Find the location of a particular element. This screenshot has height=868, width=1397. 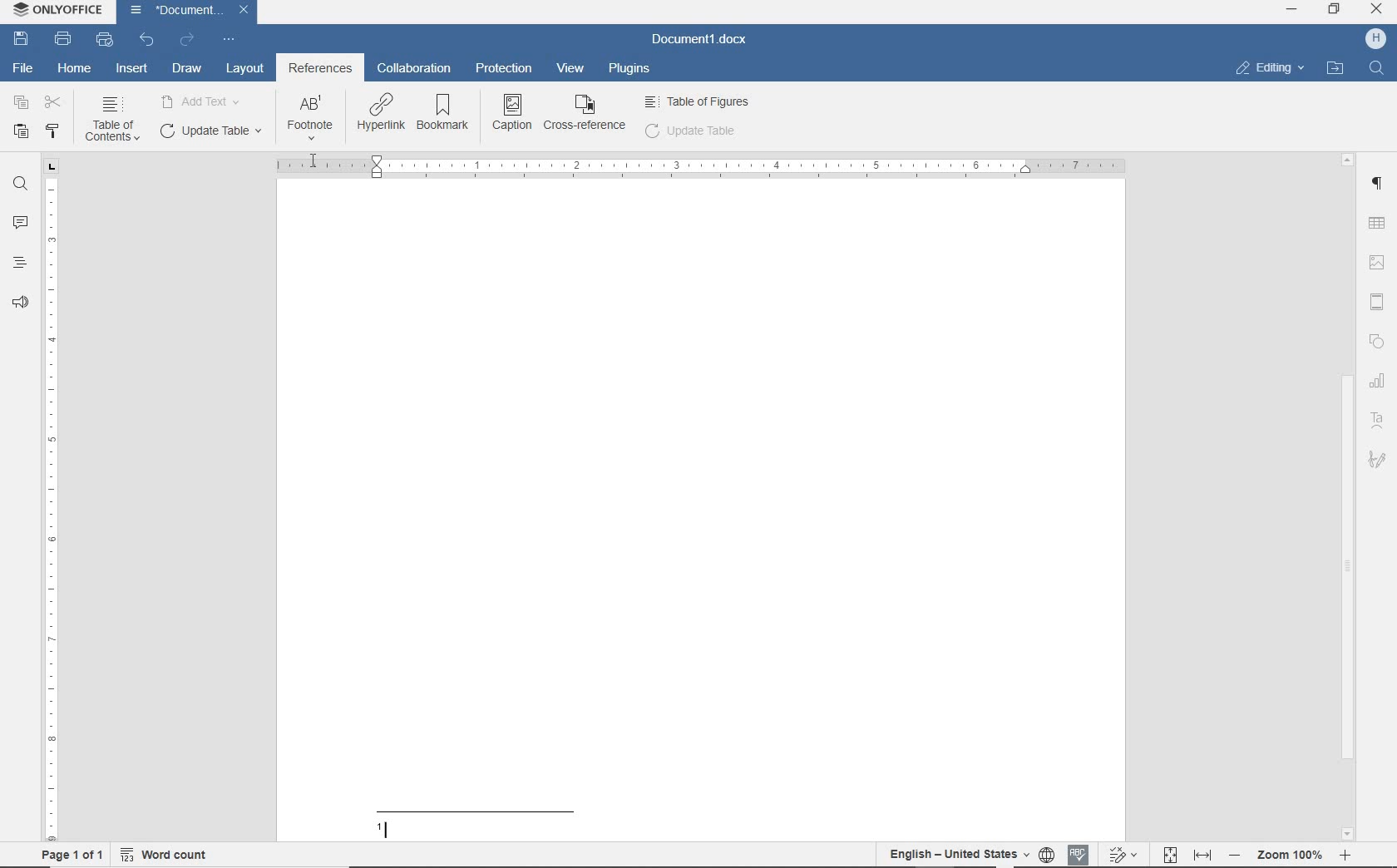

MINIMIZE is located at coordinates (1291, 10).